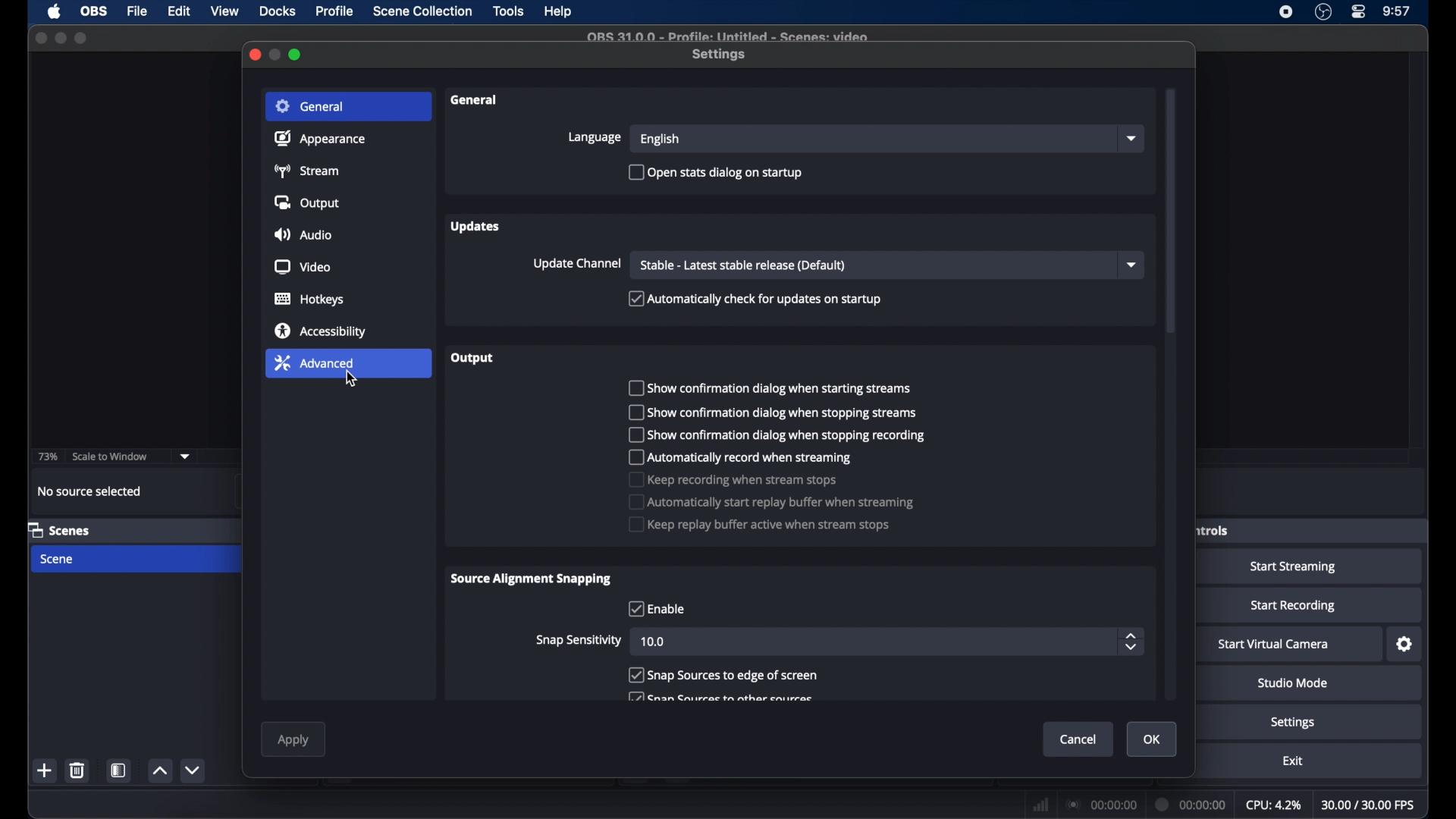 The height and width of the screenshot is (819, 1456). I want to click on video, so click(303, 267).